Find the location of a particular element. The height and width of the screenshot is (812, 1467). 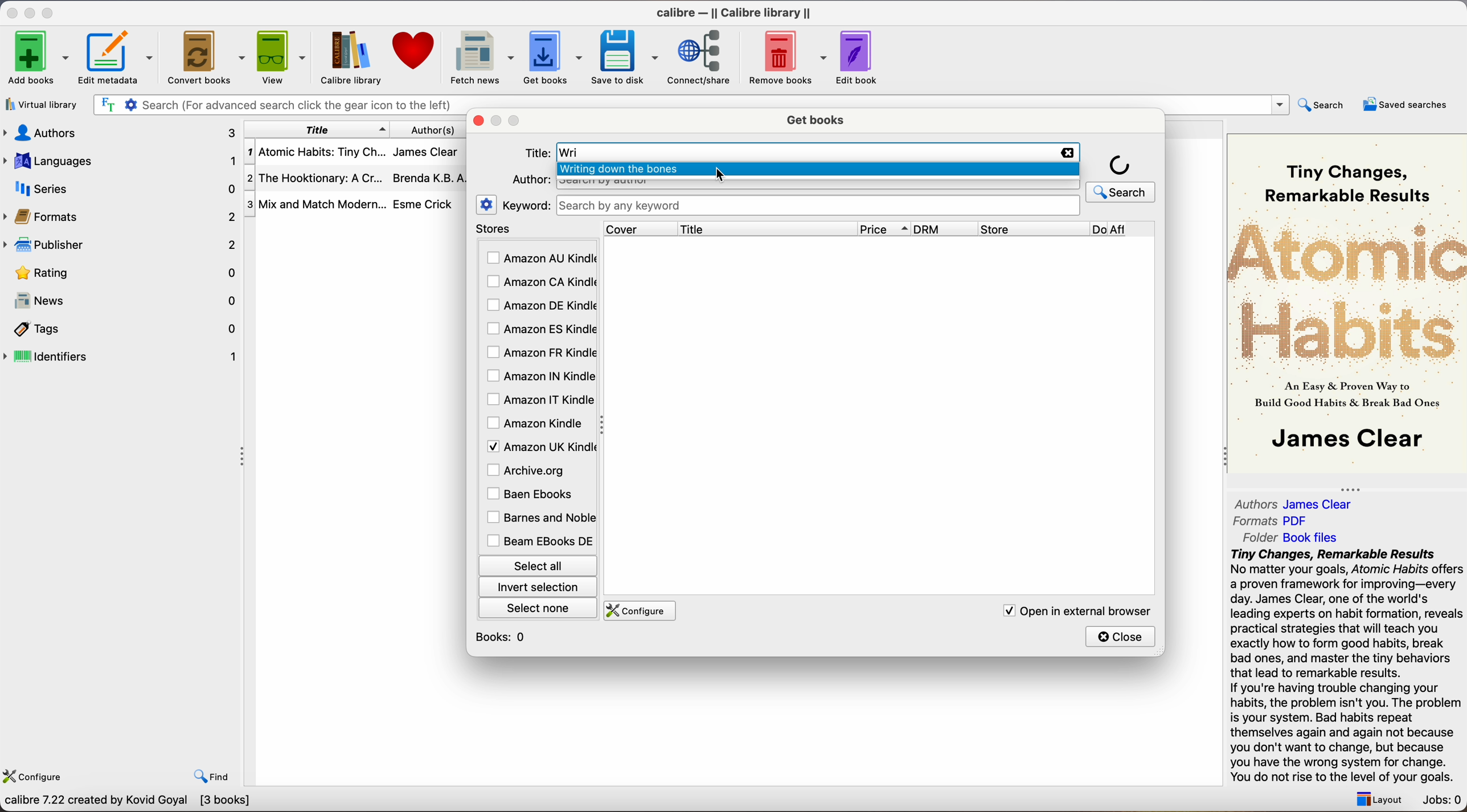

view is located at coordinates (283, 56).